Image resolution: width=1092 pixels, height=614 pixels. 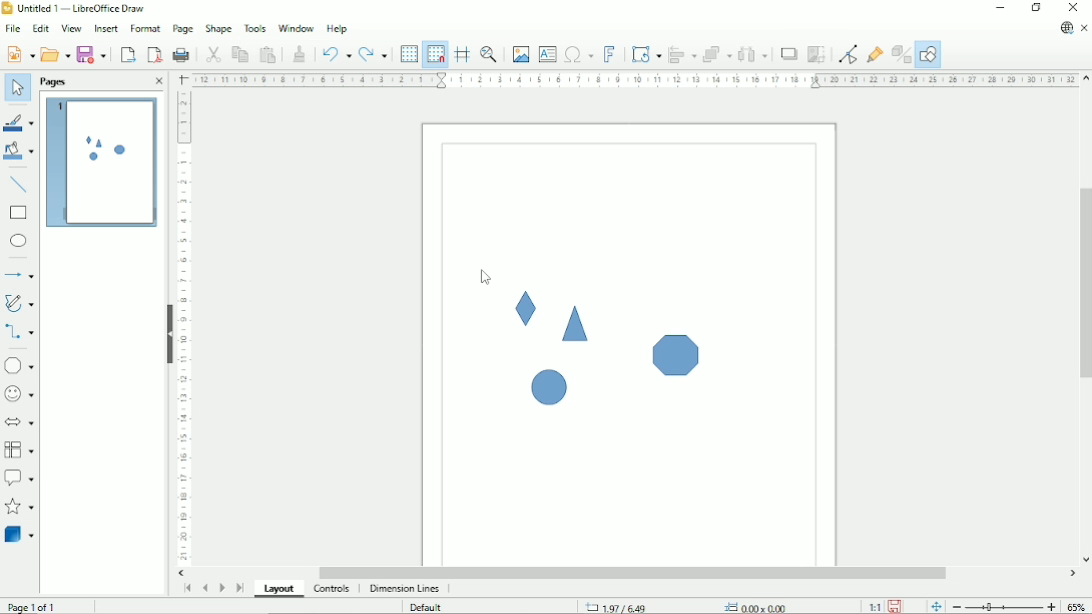 What do you see at coordinates (404, 589) in the screenshot?
I see `dimension lines` at bounding box center [404, 589].